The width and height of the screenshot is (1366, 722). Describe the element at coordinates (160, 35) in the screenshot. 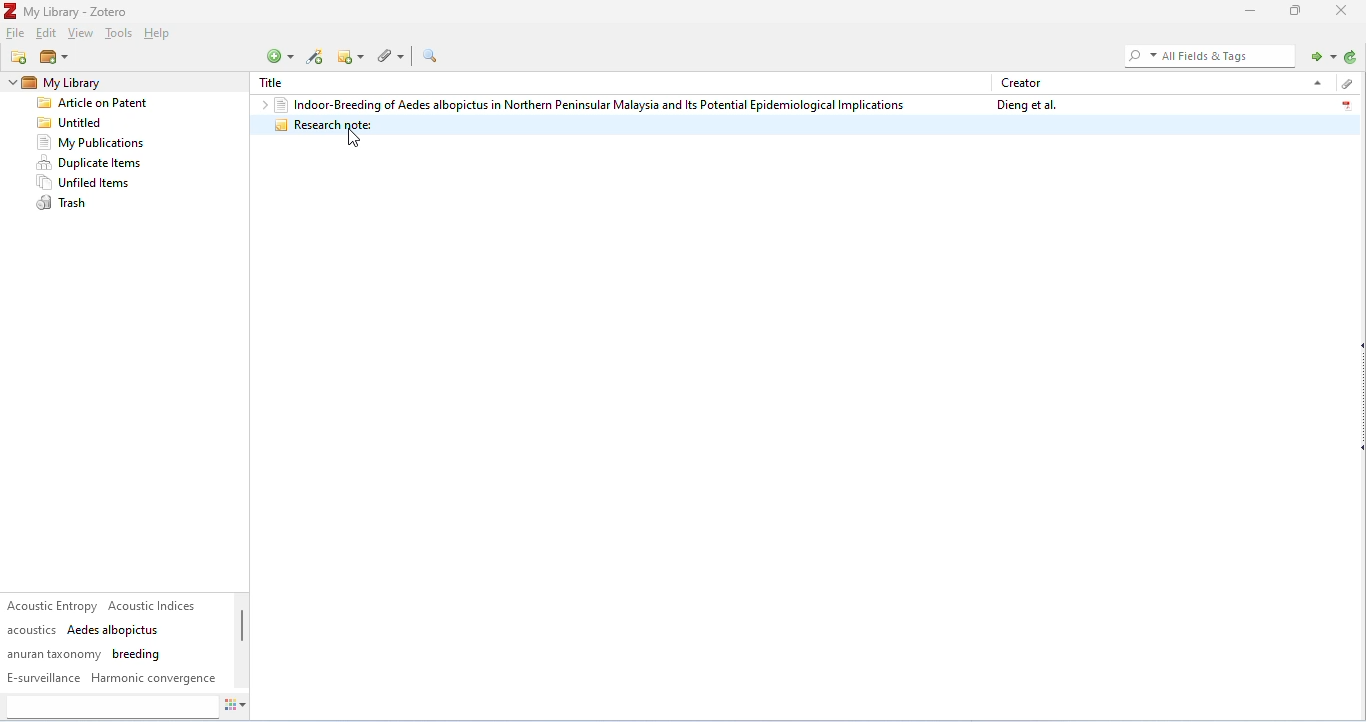

I see `help` at that location.